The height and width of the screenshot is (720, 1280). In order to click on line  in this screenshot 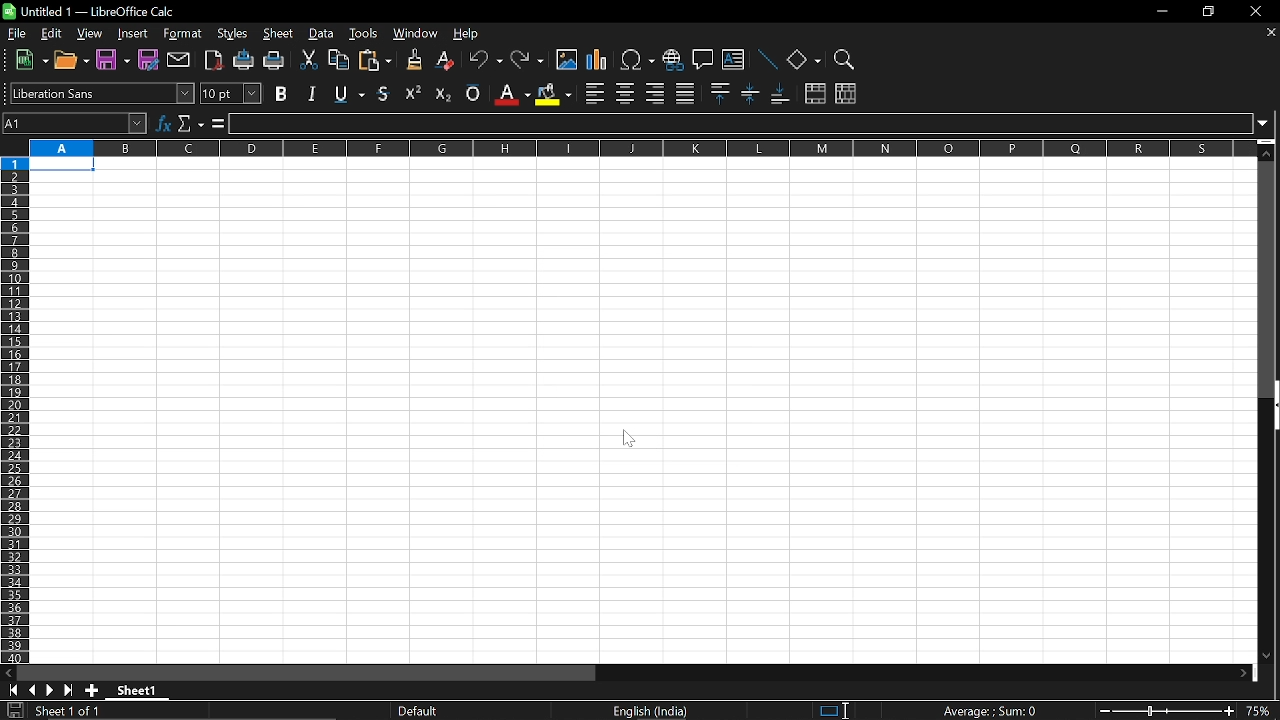, I will do `click(766, 61)`.